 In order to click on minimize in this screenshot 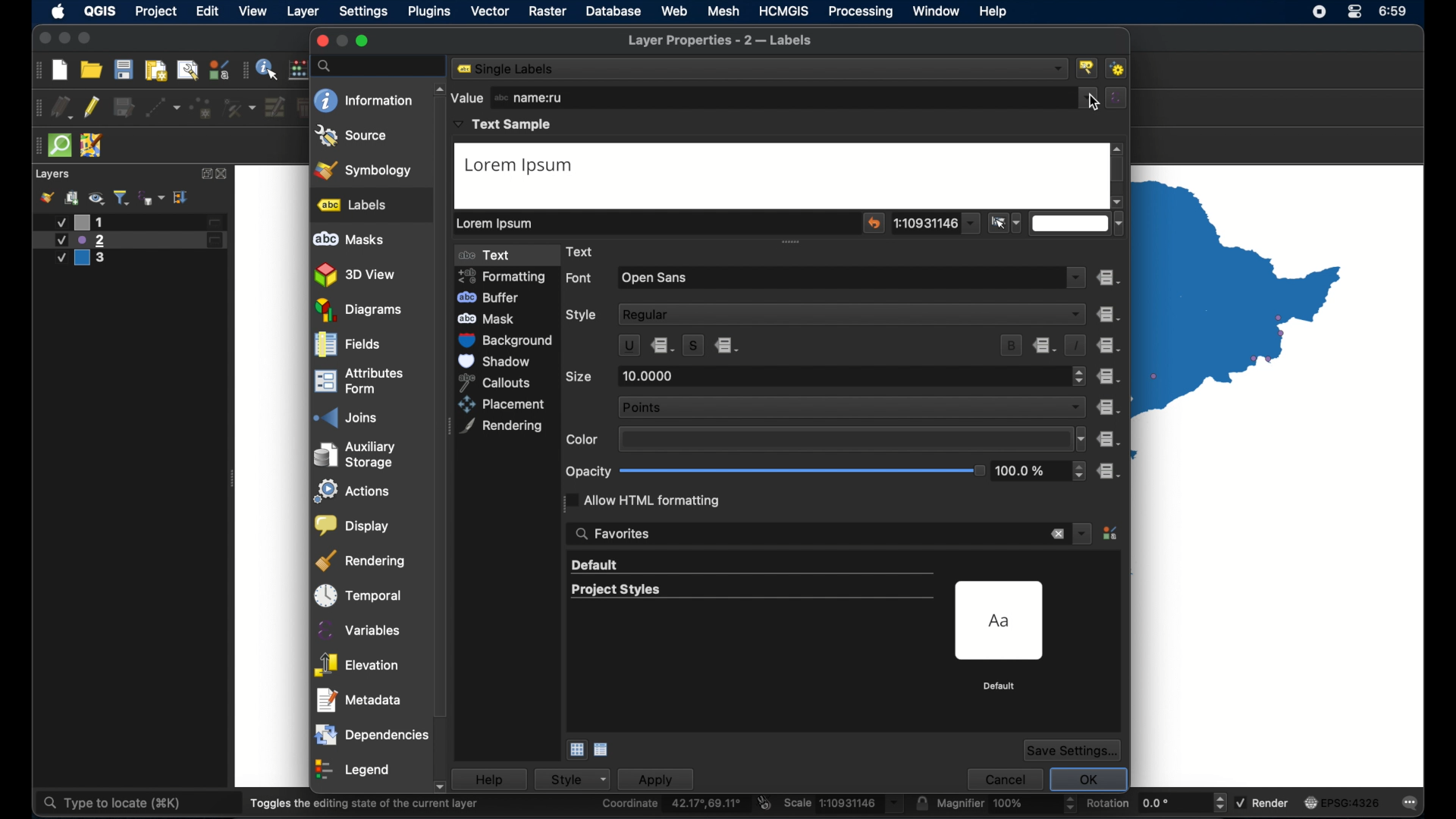, I will do `click(64, 39)`.